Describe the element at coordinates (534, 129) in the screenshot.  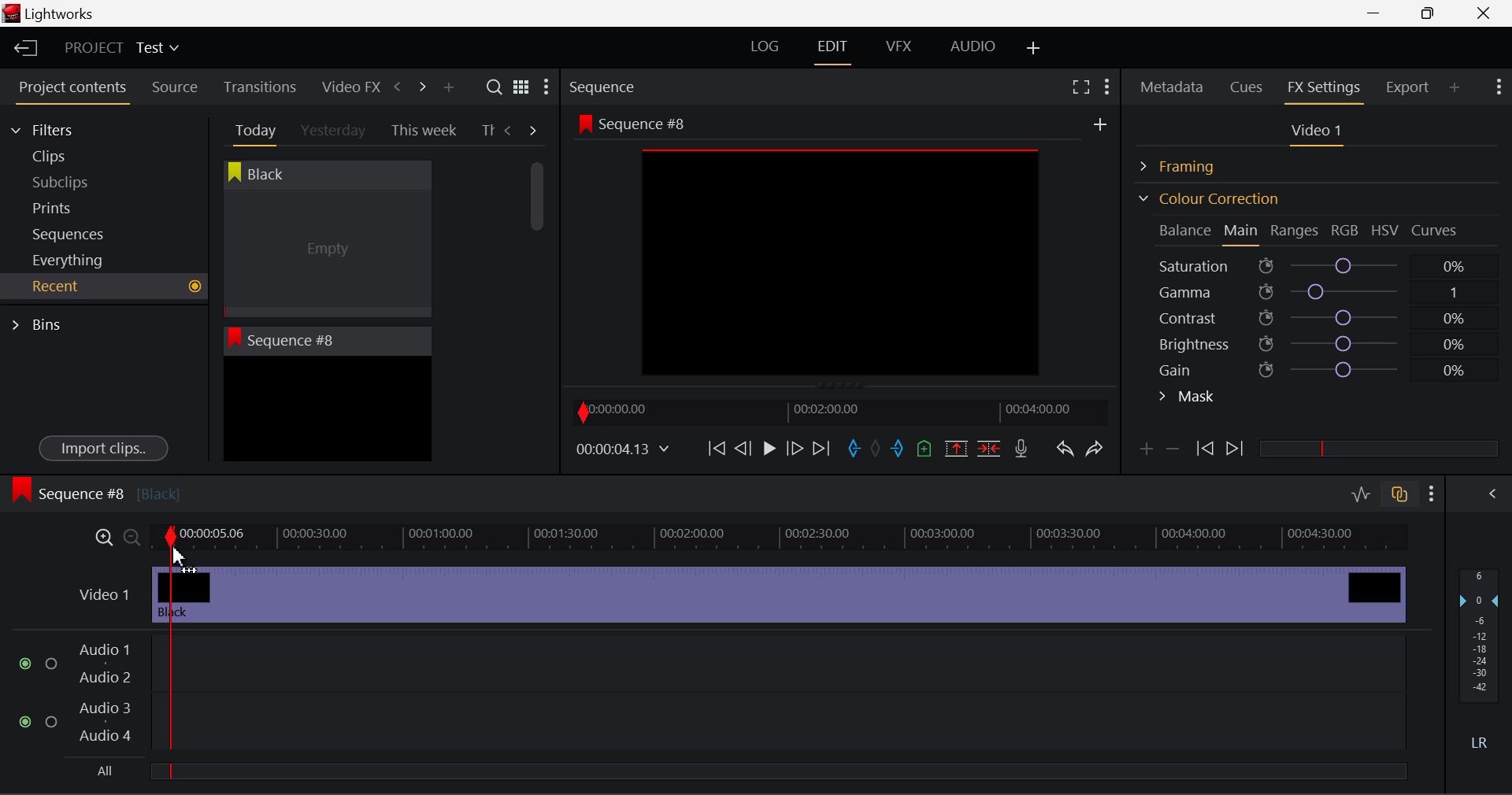
I see `Next Tab` at that location.